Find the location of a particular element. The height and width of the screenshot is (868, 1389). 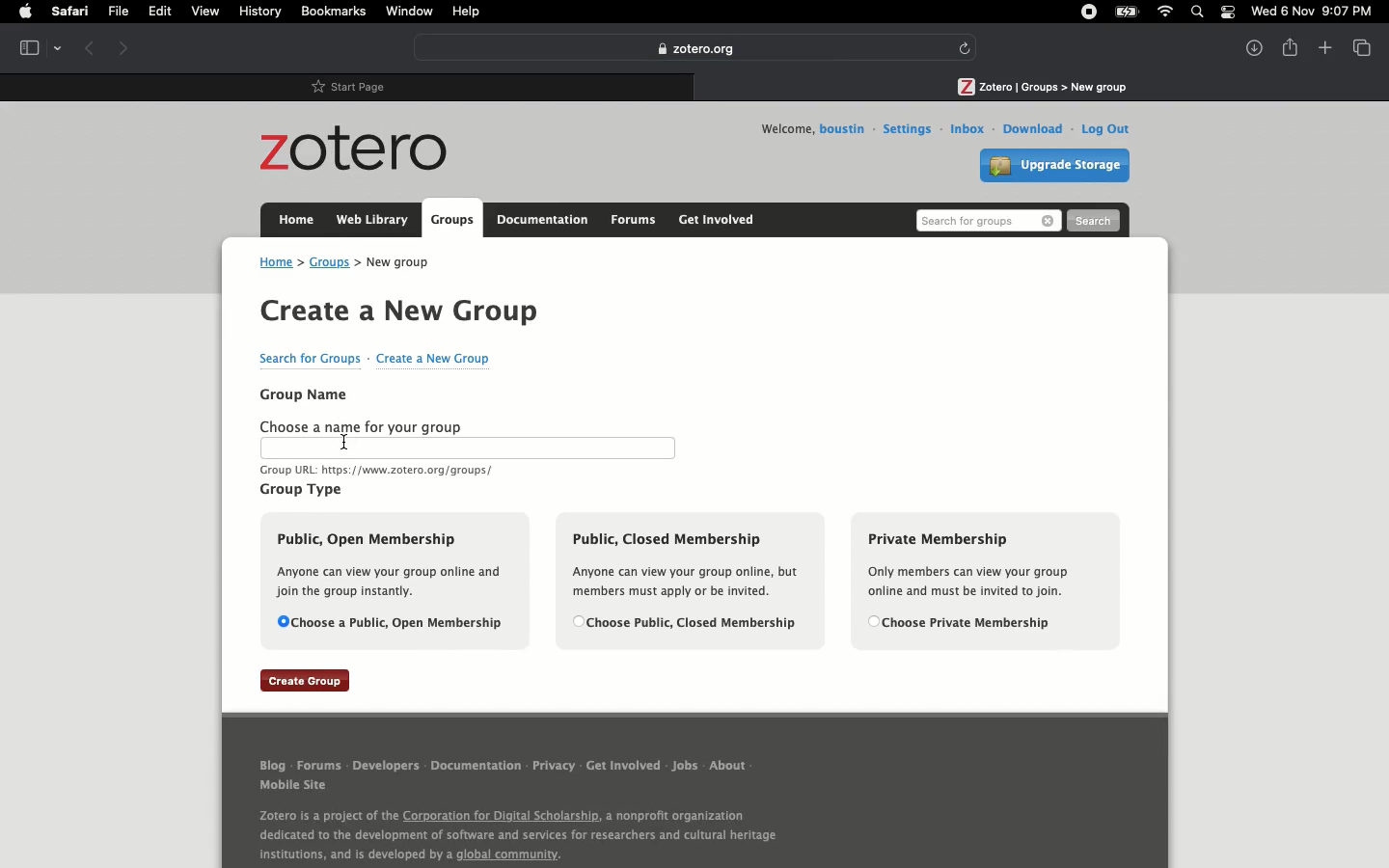

Search is located at coordinates (1198, 12).